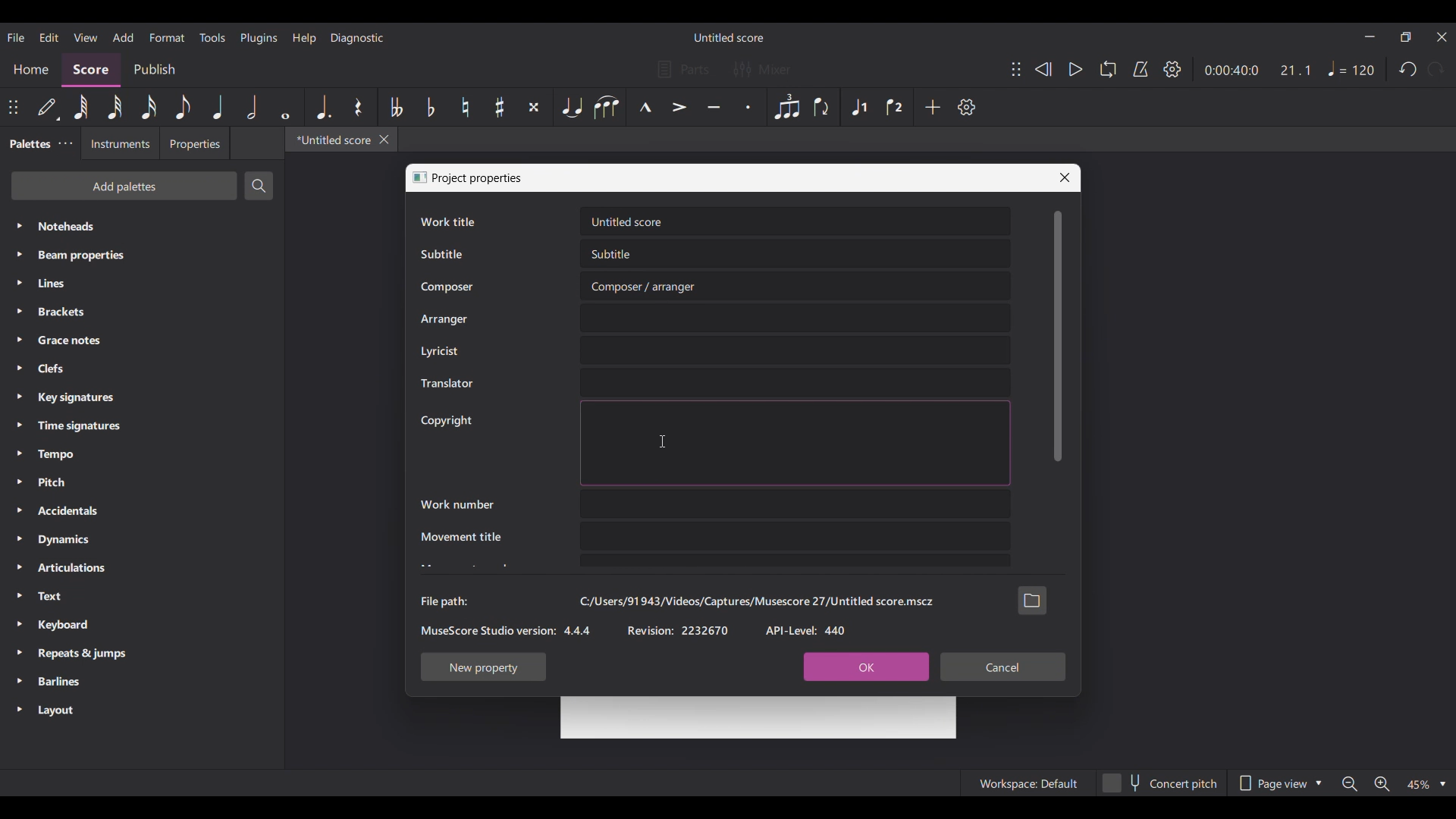 Image resolution: width=1456 pixels, height=819 pixels. Describe the element at coordinates (795, 221) in the screenshot. I see `Text box for Work title` at that location.